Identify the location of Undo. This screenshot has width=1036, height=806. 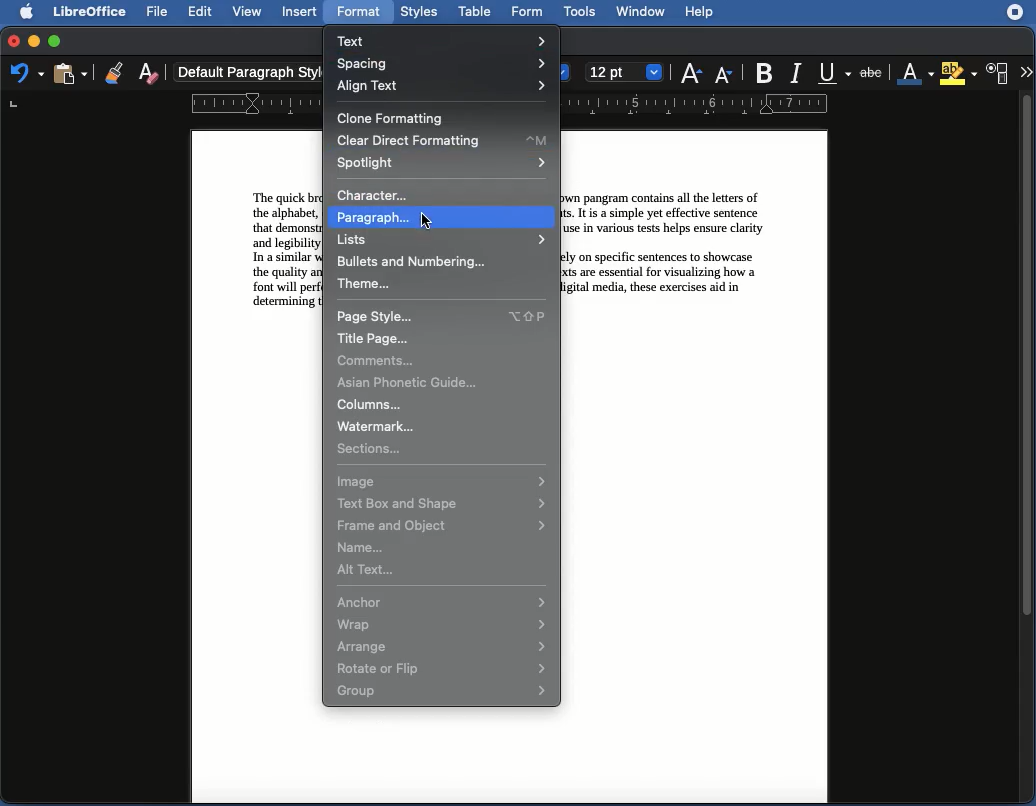
(26, 74).